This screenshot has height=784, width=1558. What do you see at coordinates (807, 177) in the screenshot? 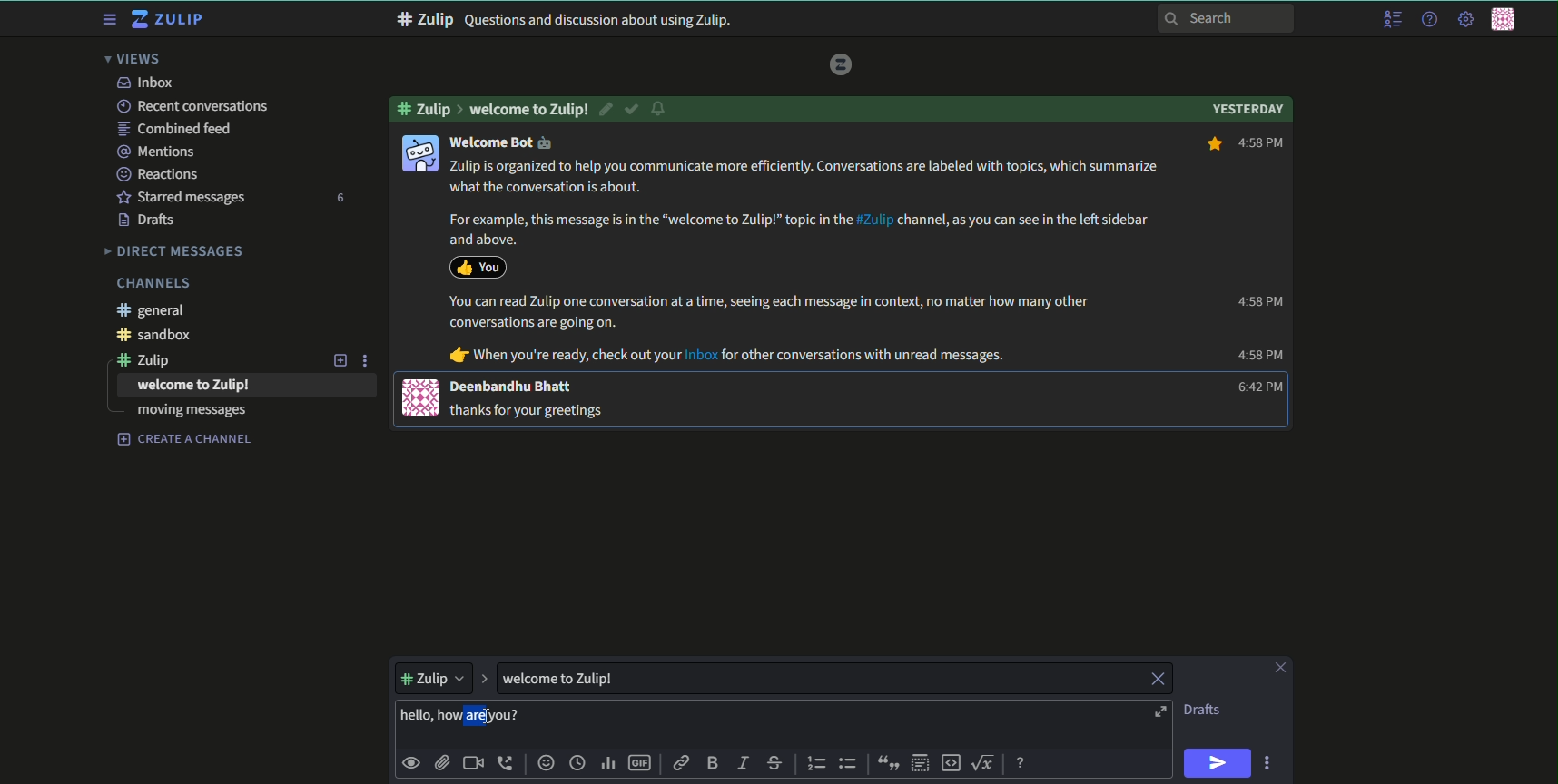
I see ` Zulip is organized to help you communicate more efficiently. Conversations are labeled with topics, which summarize what the conversation is about.` at bounding box center [807, 177].